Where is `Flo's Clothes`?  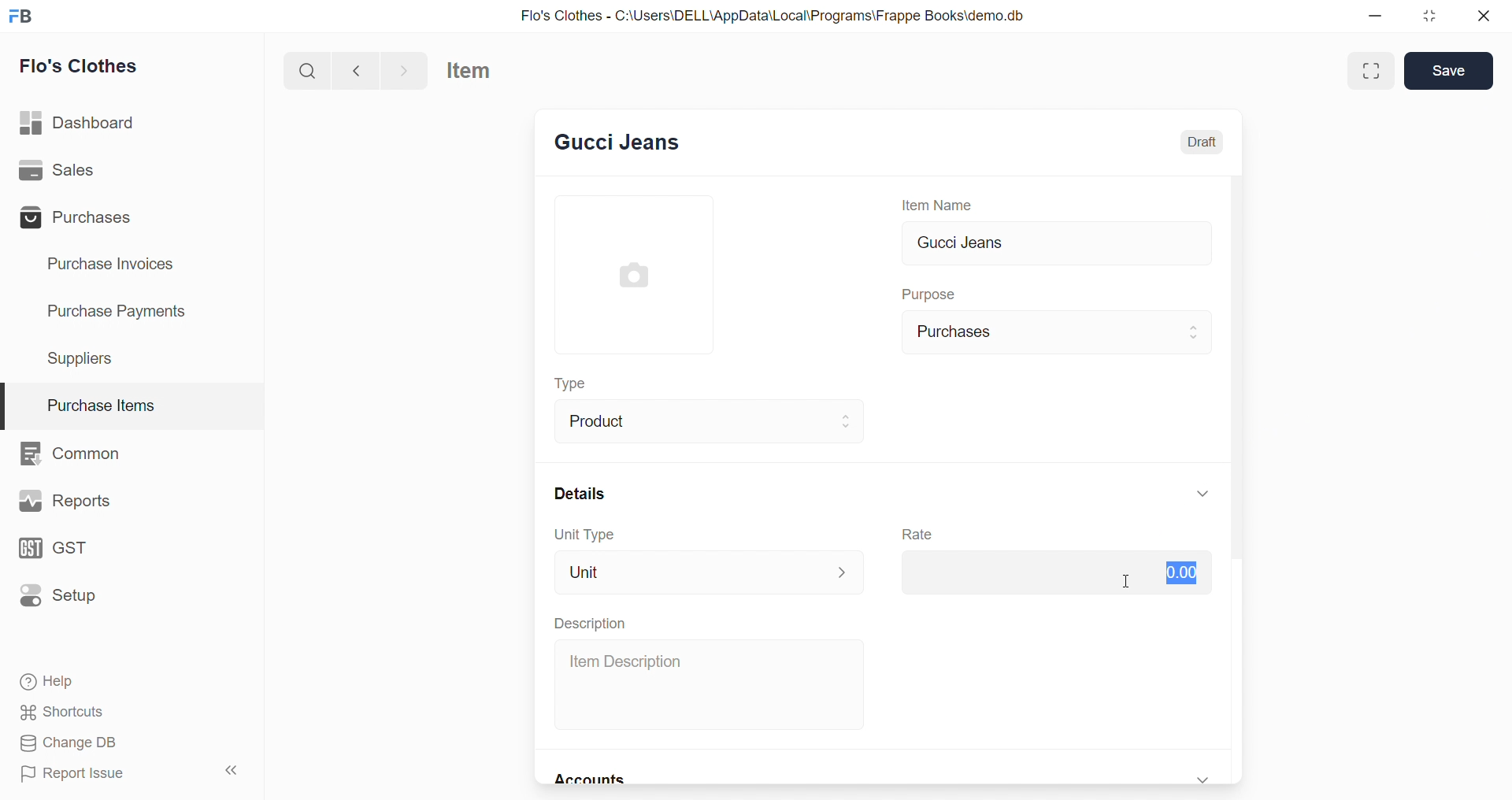 Flo's Clothes is located at coordinates (88, 66).